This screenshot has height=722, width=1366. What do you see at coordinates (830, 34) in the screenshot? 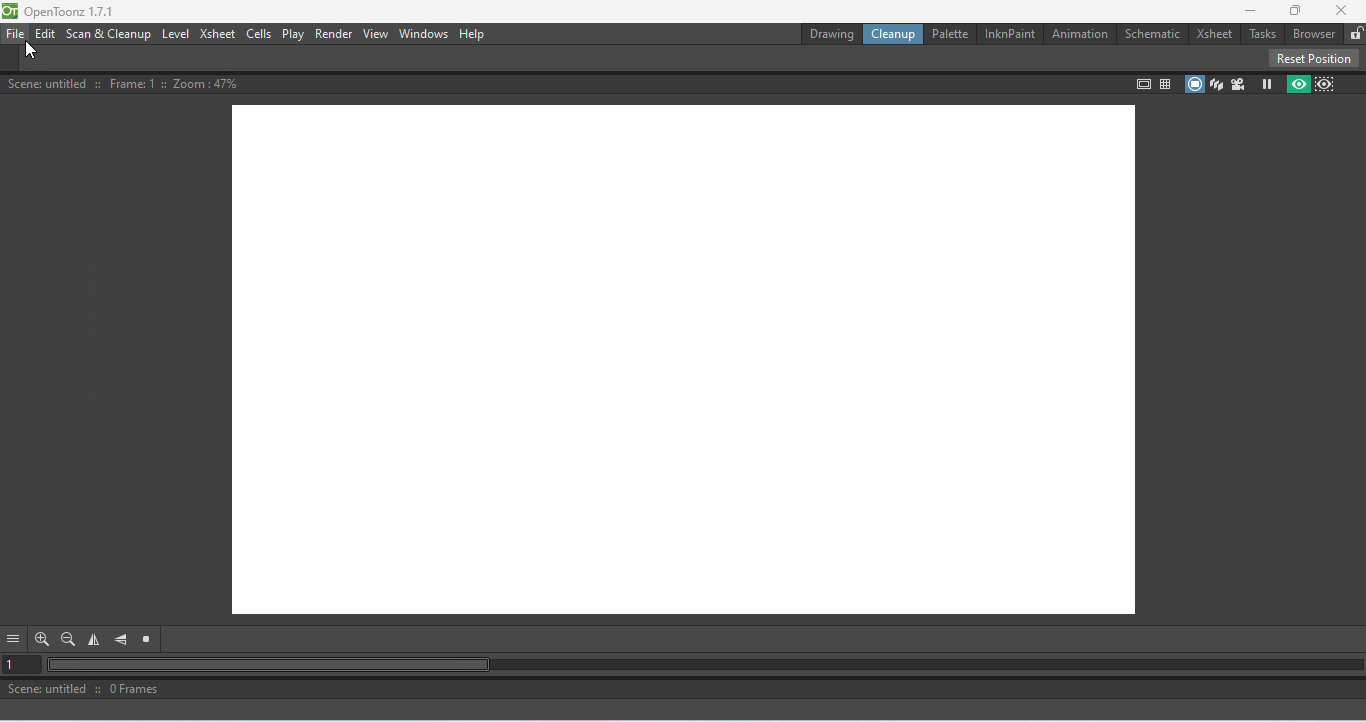
I see `Drawing` at bounding box center [830, 34].